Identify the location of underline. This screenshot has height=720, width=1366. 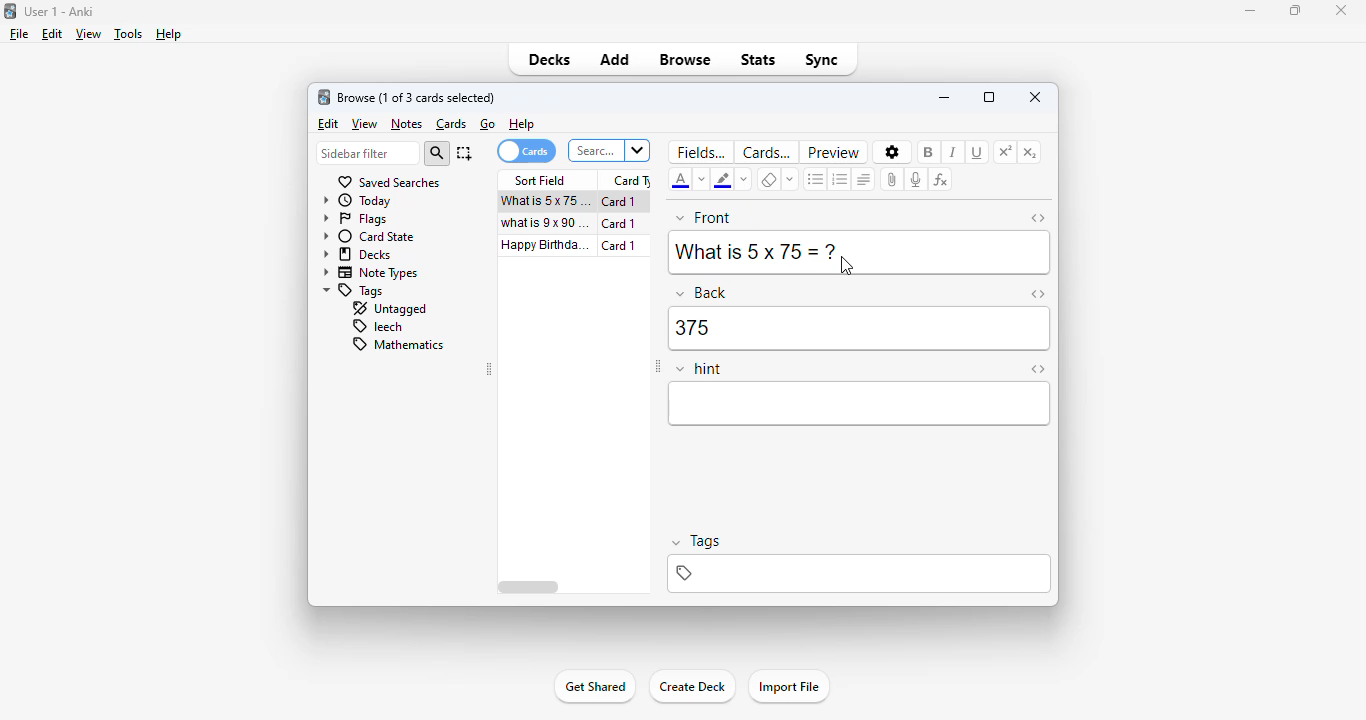
(977, 153).